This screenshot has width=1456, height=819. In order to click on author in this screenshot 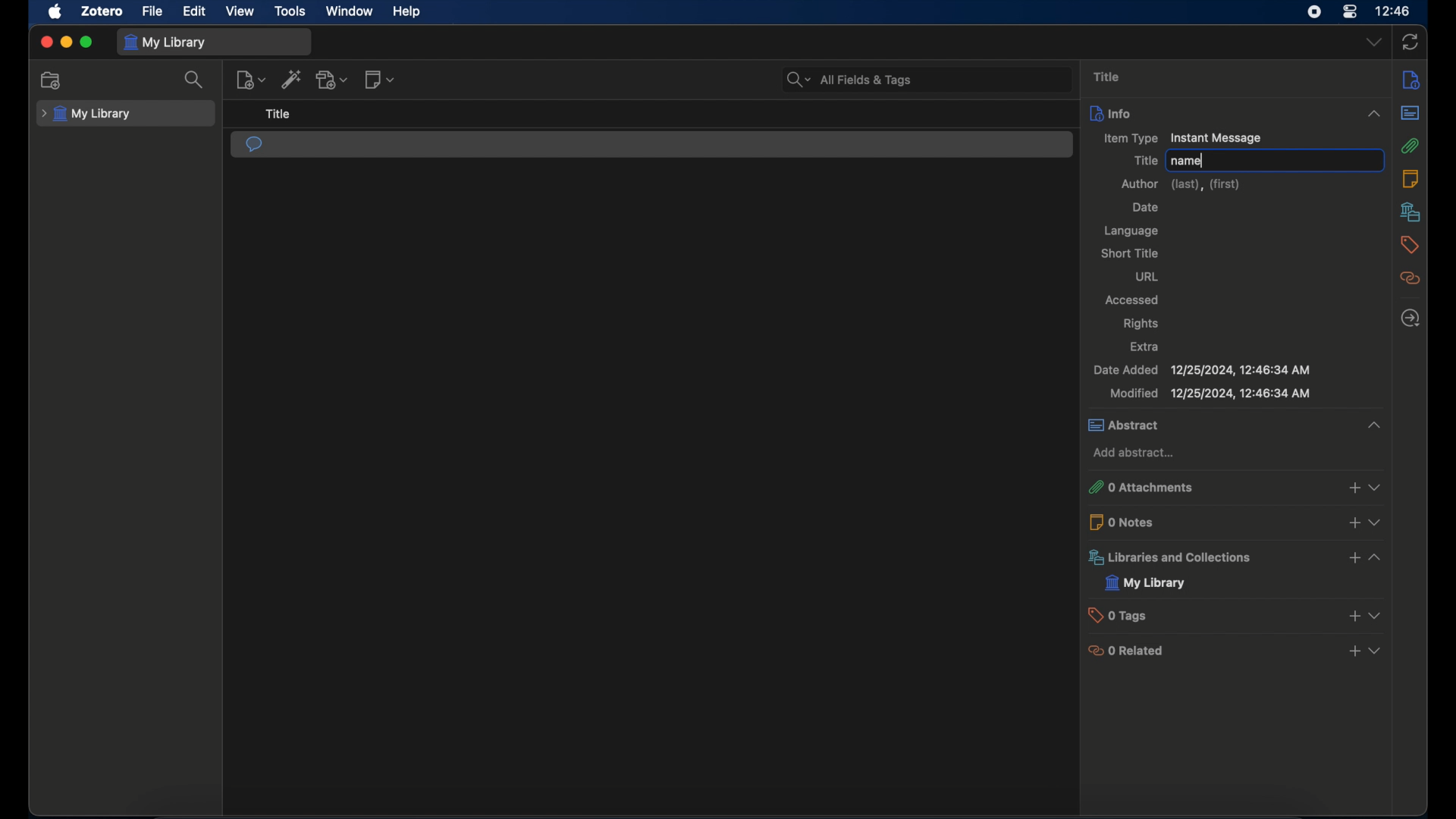, I will do `click(1180, 184)`.